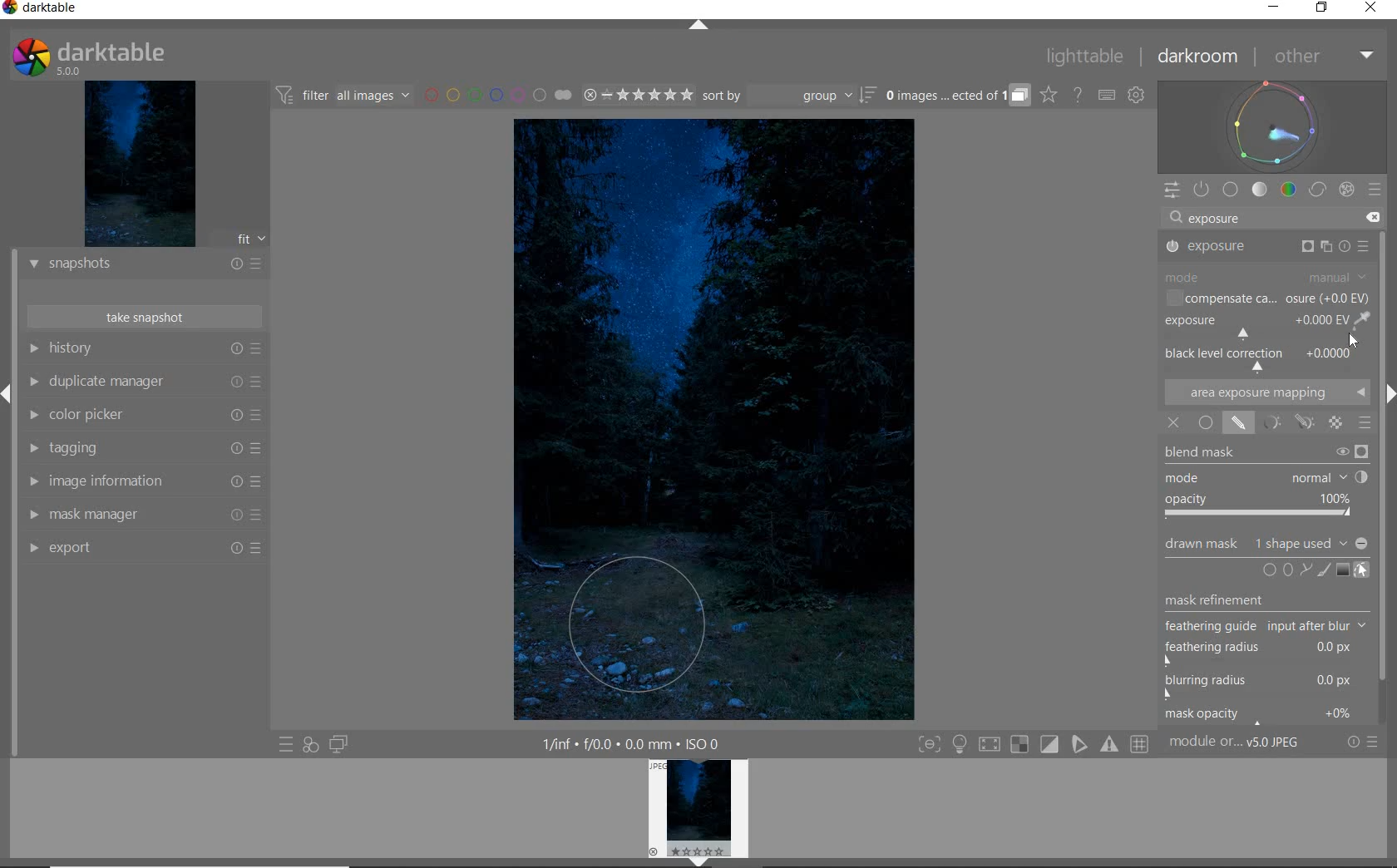 The width and height of the screenshot is (1397, 868). I want to click on QUICK ACCESS PANEL, so click(1170, 190).